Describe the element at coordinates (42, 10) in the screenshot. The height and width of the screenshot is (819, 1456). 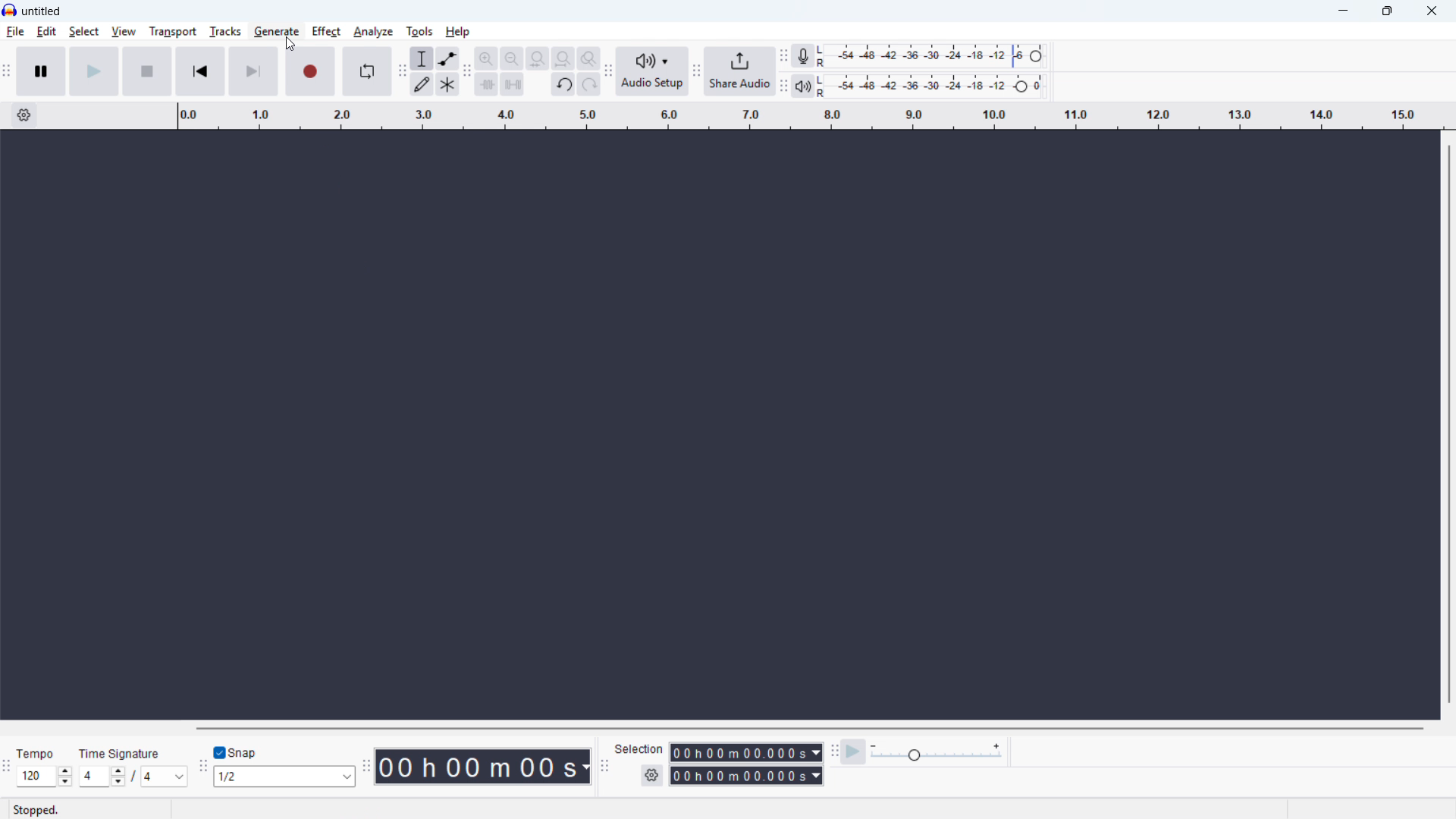
I see `untitled` at that location.